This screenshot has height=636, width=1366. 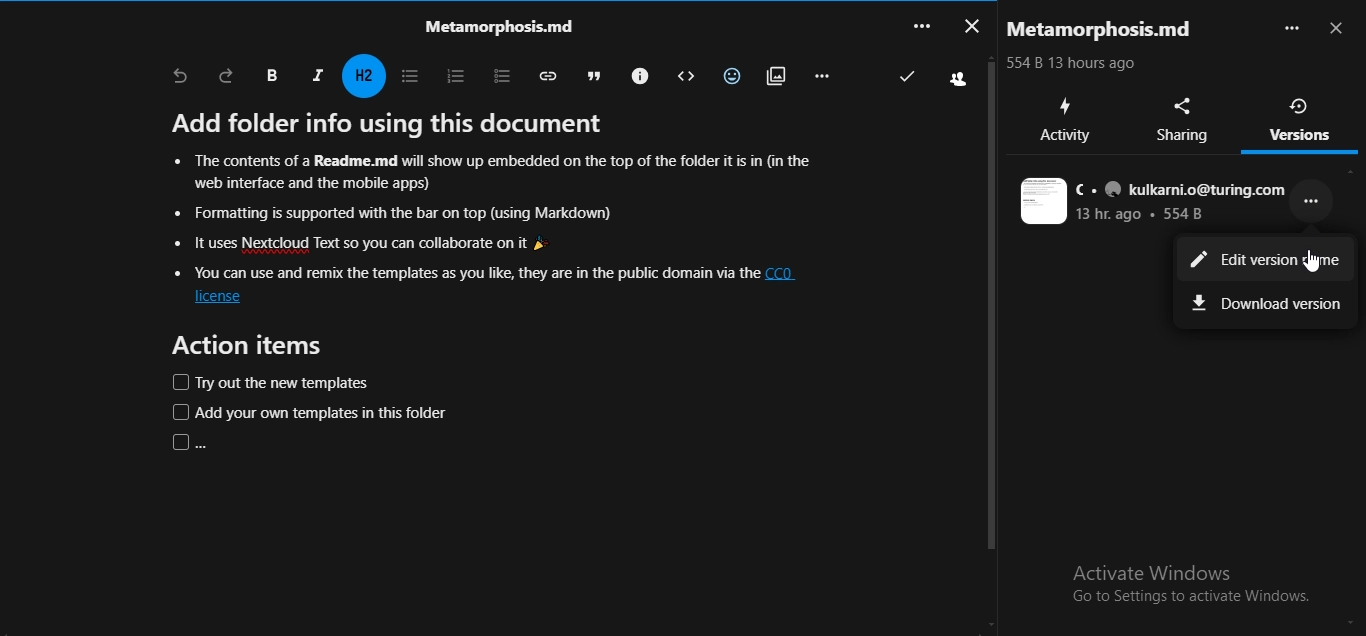 I want to click on insert link, so click(x=544, y=75).